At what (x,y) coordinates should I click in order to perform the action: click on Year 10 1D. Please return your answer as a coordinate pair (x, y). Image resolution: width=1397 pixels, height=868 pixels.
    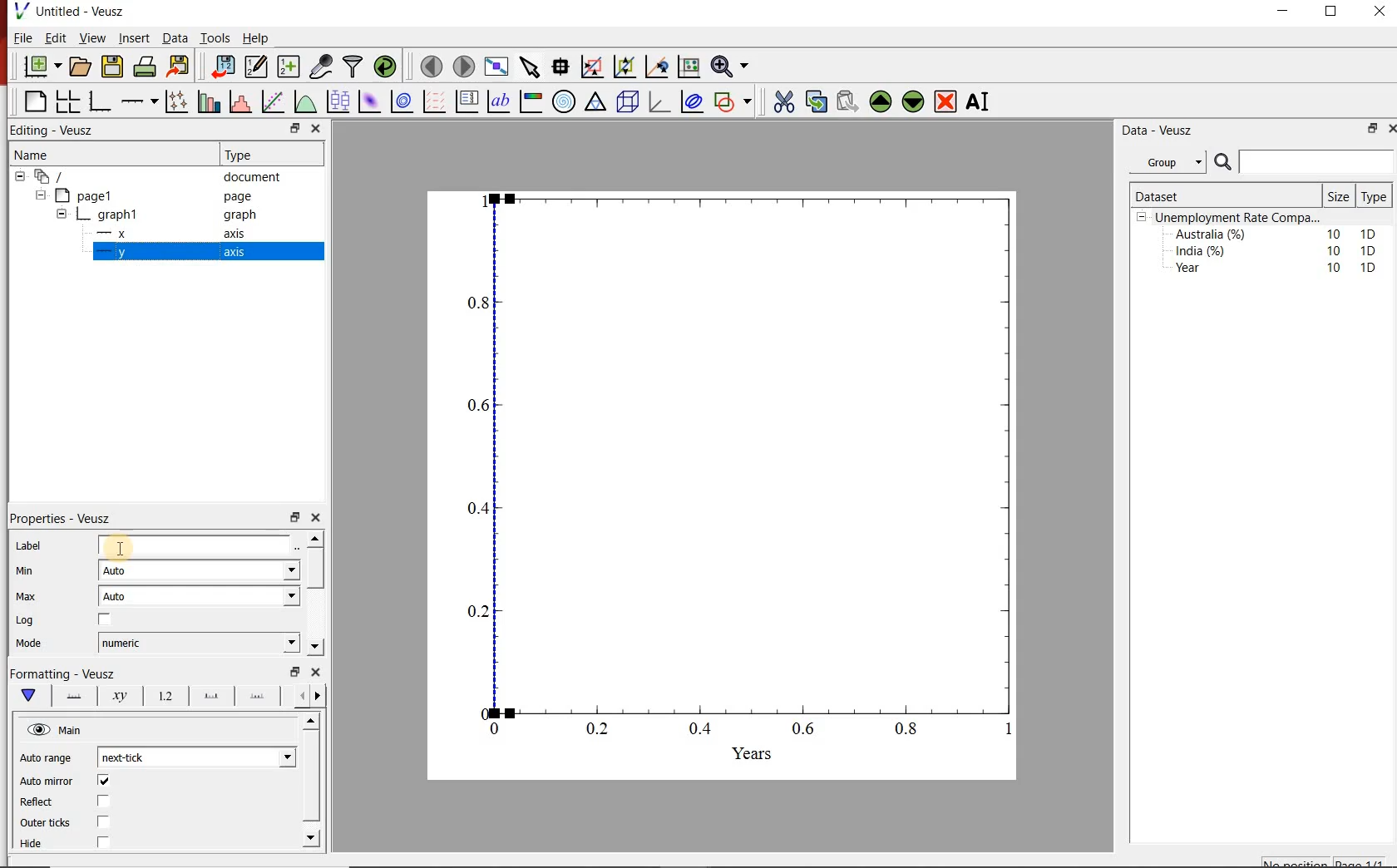
    Looking at the image, I should click on (1281, 269).